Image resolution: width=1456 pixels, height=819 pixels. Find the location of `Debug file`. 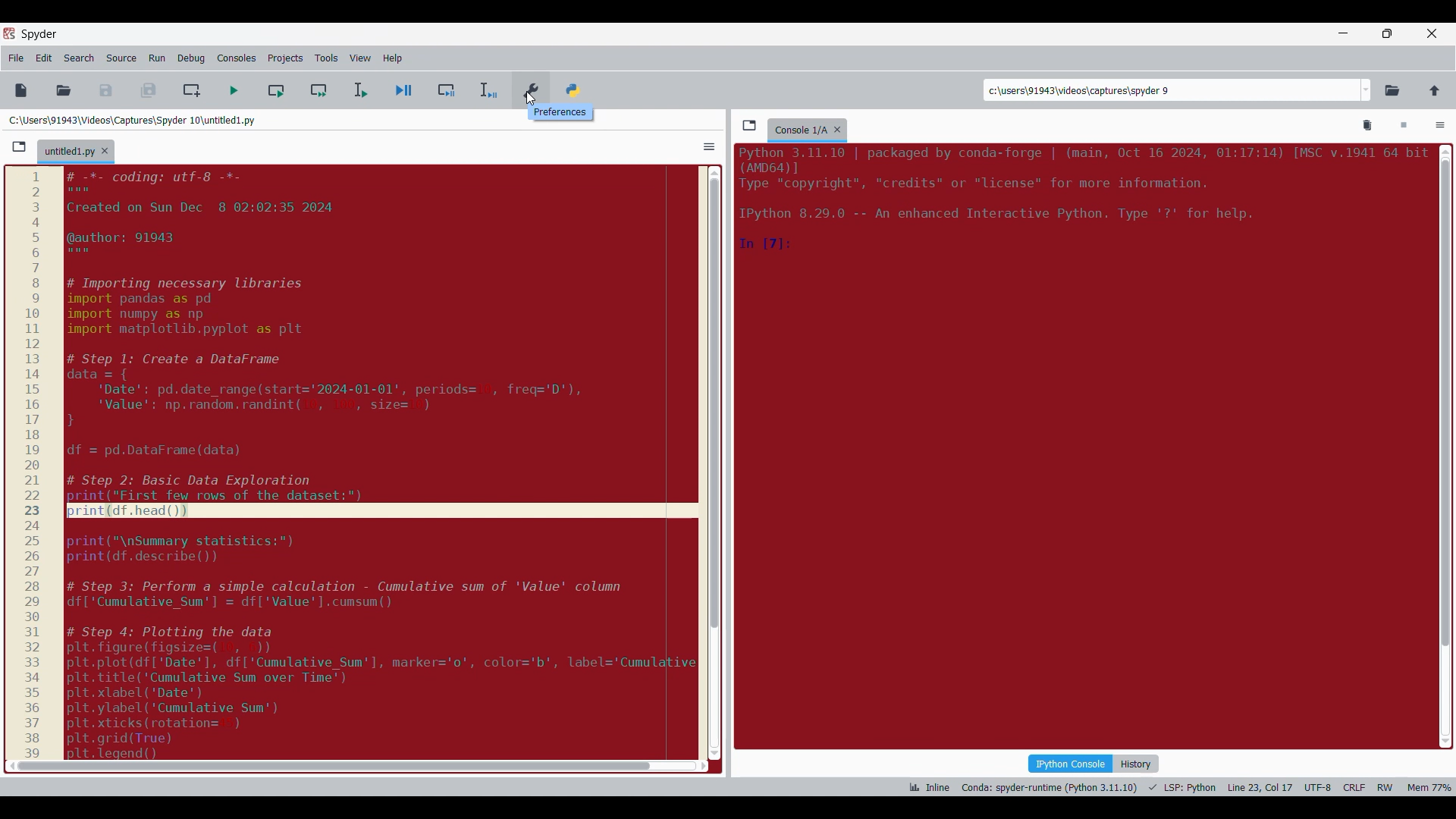

Debug file is located at coordinates (404, 91).